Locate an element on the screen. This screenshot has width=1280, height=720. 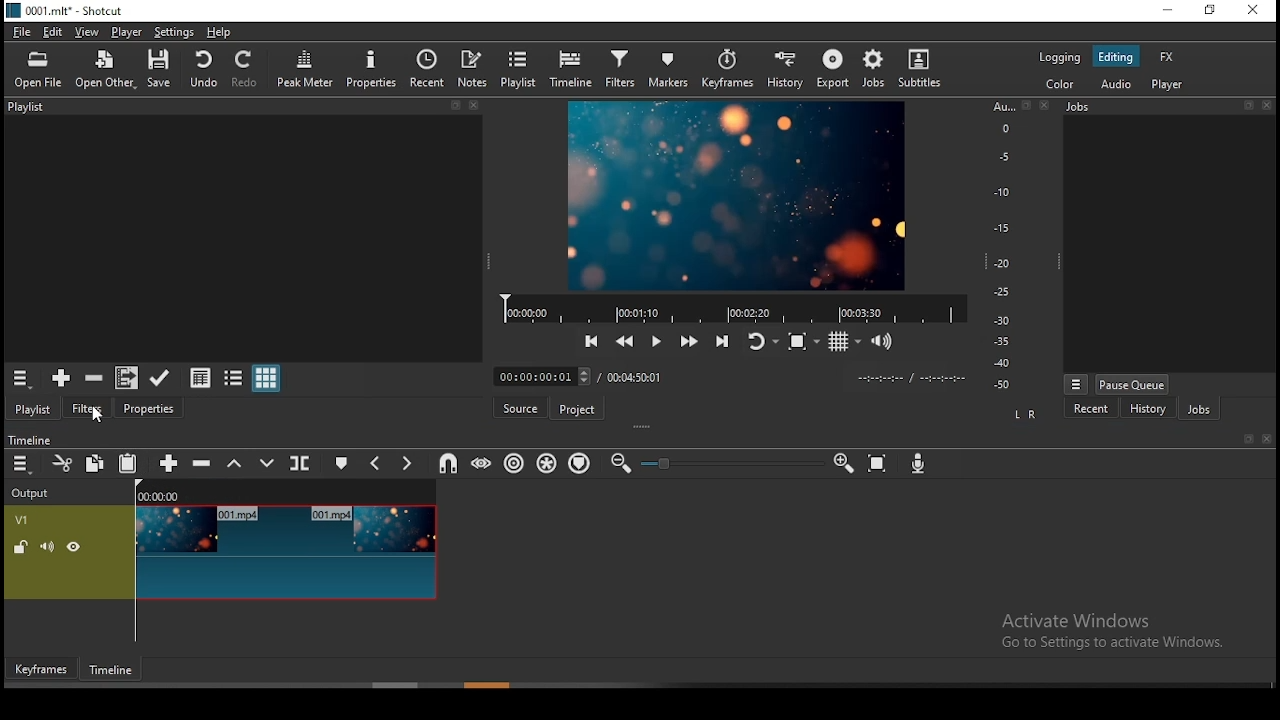
toggle player looping is located at coordinates (758, 338).